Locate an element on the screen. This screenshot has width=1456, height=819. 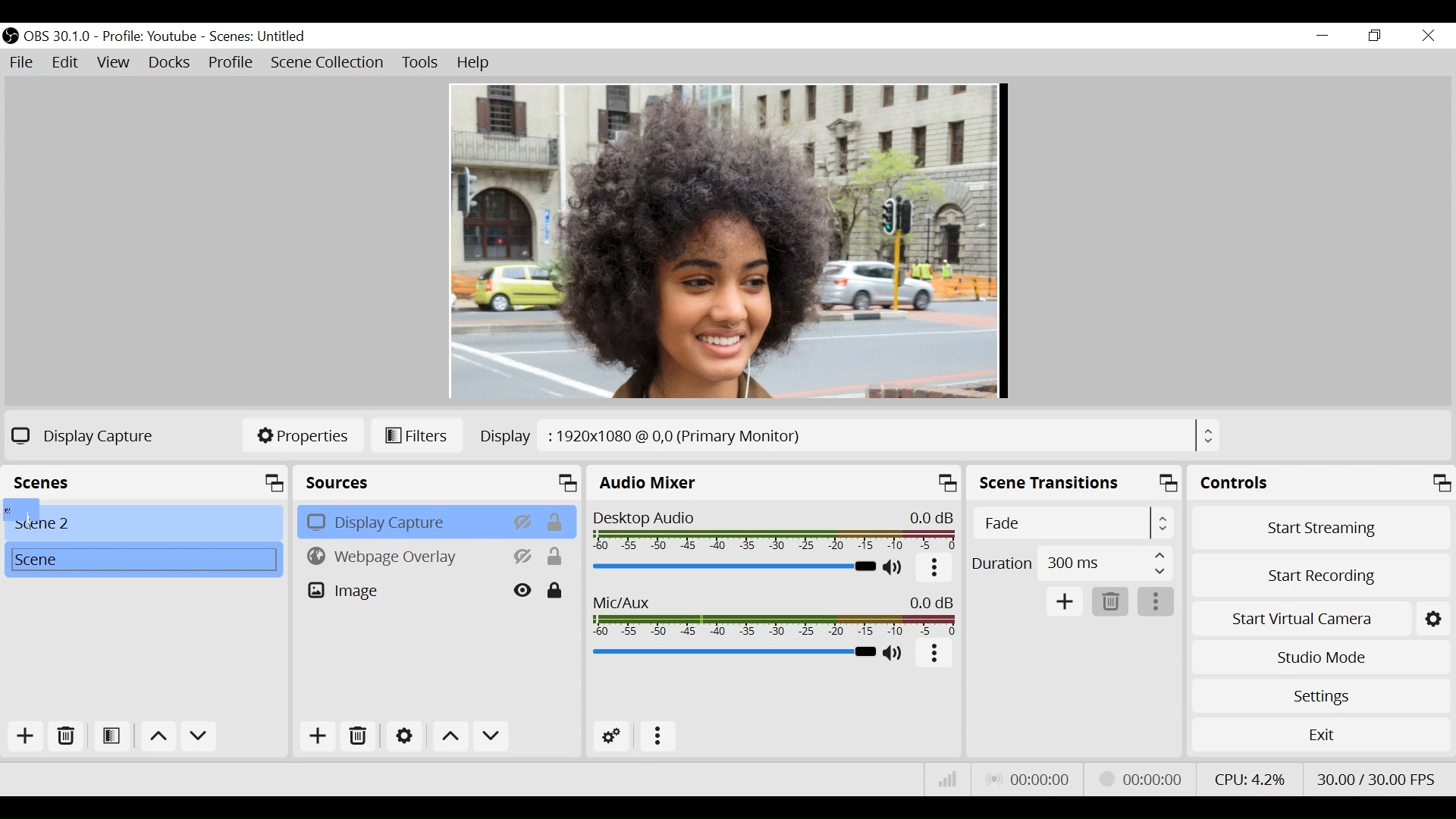
Studio Mode is located at coordinates (1318, 657).